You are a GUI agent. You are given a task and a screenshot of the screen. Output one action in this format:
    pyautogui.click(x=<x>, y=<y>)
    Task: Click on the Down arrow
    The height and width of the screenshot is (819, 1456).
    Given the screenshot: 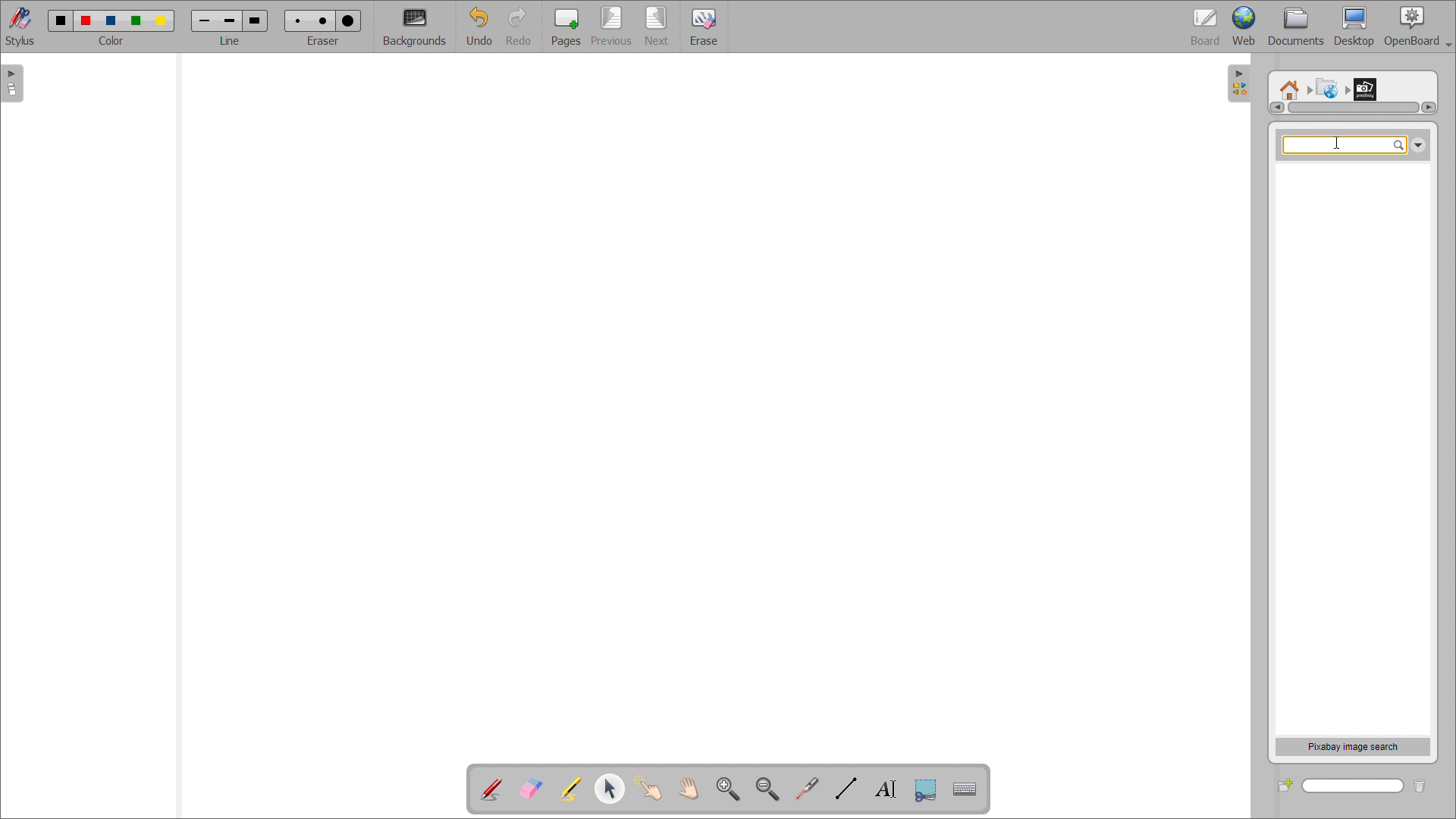 What is the action you would take?
    pyautogui.click(x=1418, y=143)
    